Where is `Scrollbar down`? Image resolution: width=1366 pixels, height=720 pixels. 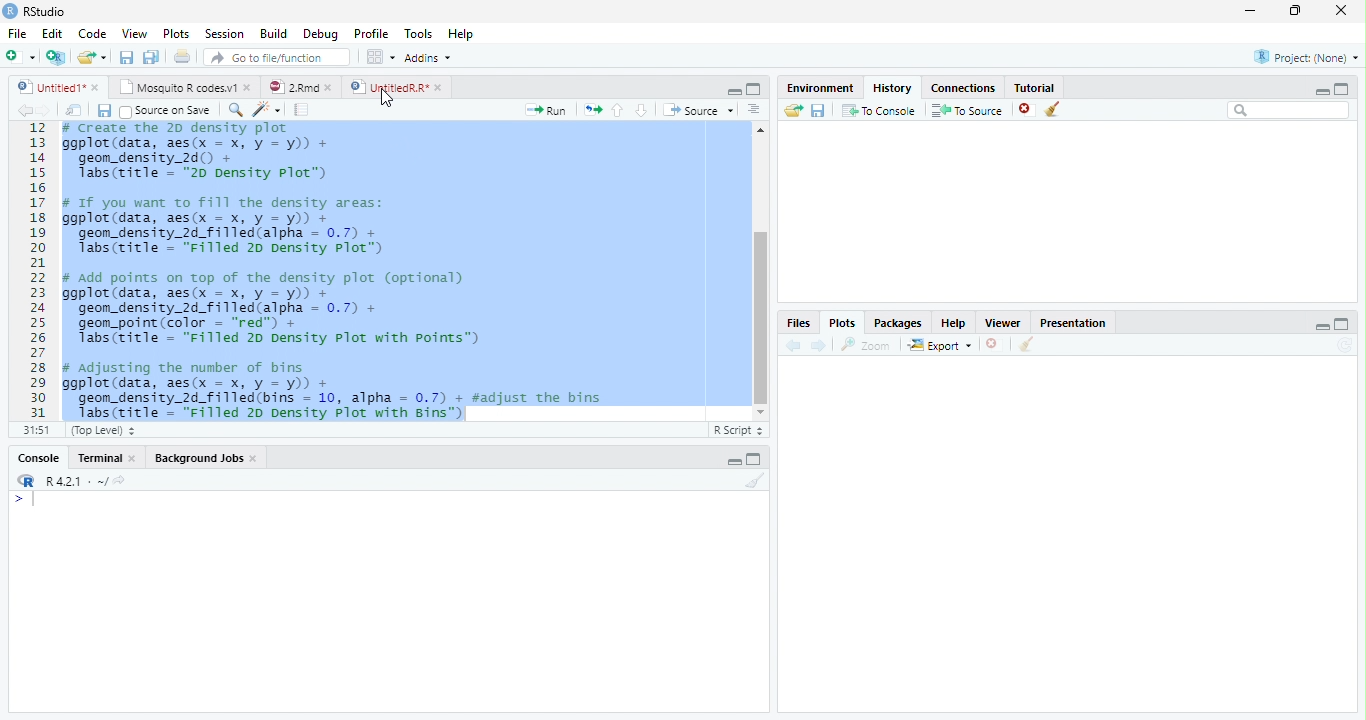 Scrollbar down is located at coordinates (760, 412).